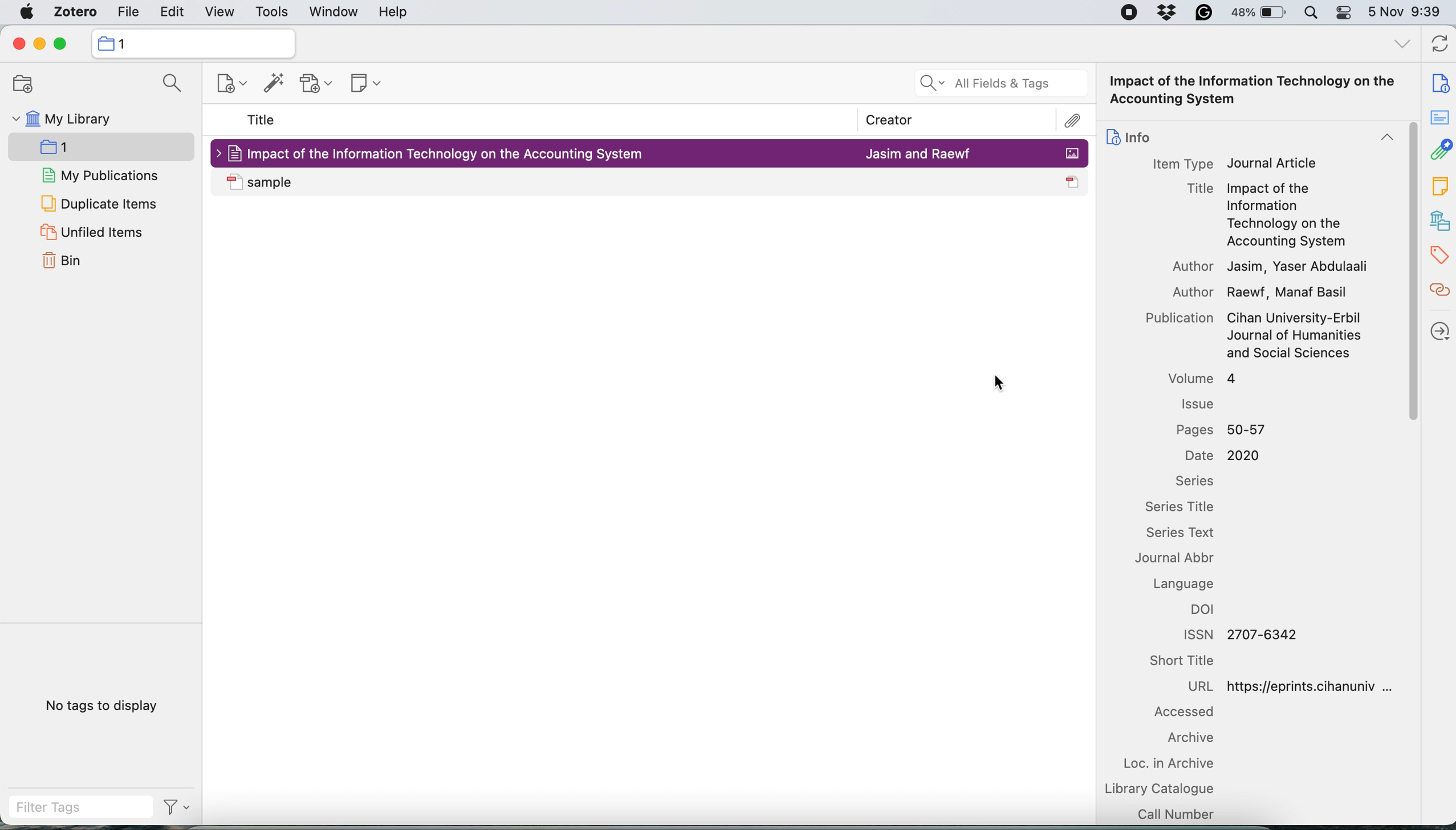 The width and height of the screenshot is (1456, 830). Describe the element at coordinates (1315, 13) in the screenshot. I see `spotlight search` at that location.